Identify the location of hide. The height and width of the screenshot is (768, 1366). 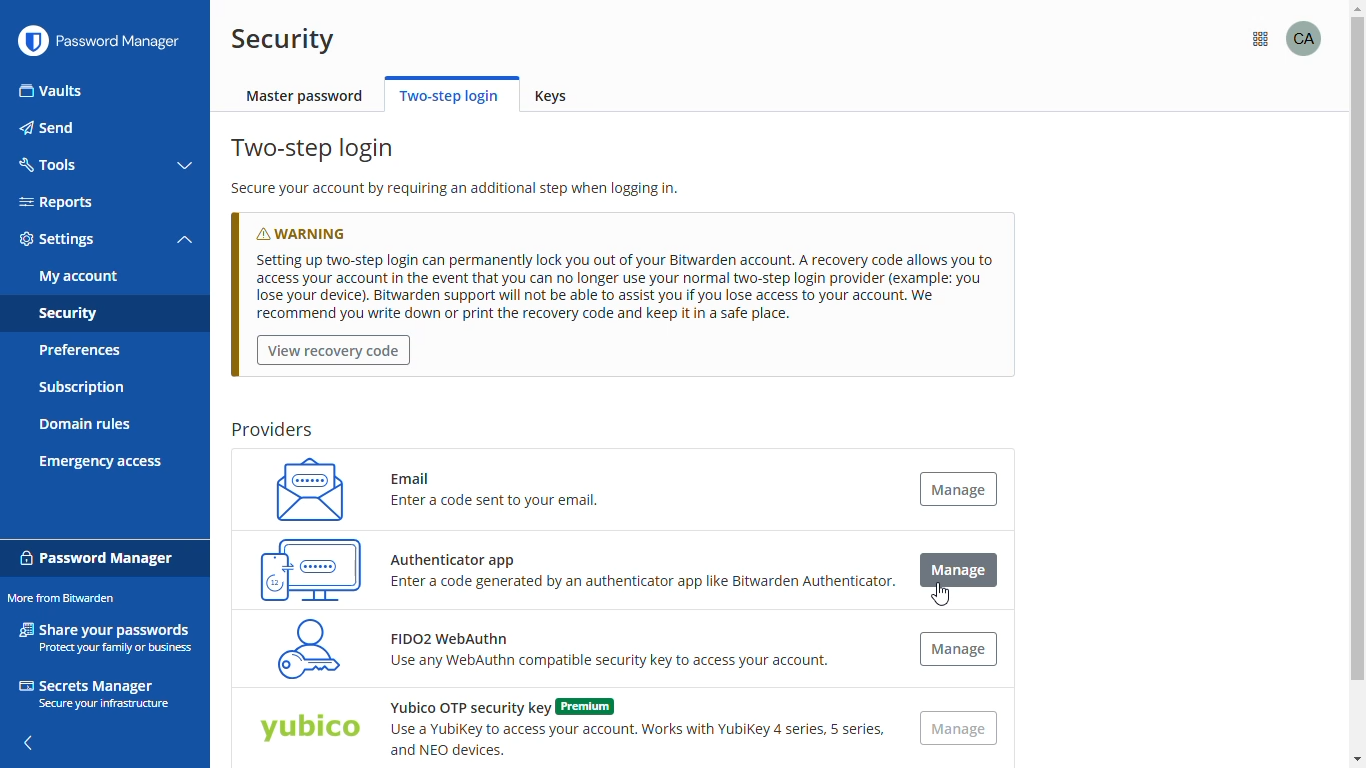
(26, 737).